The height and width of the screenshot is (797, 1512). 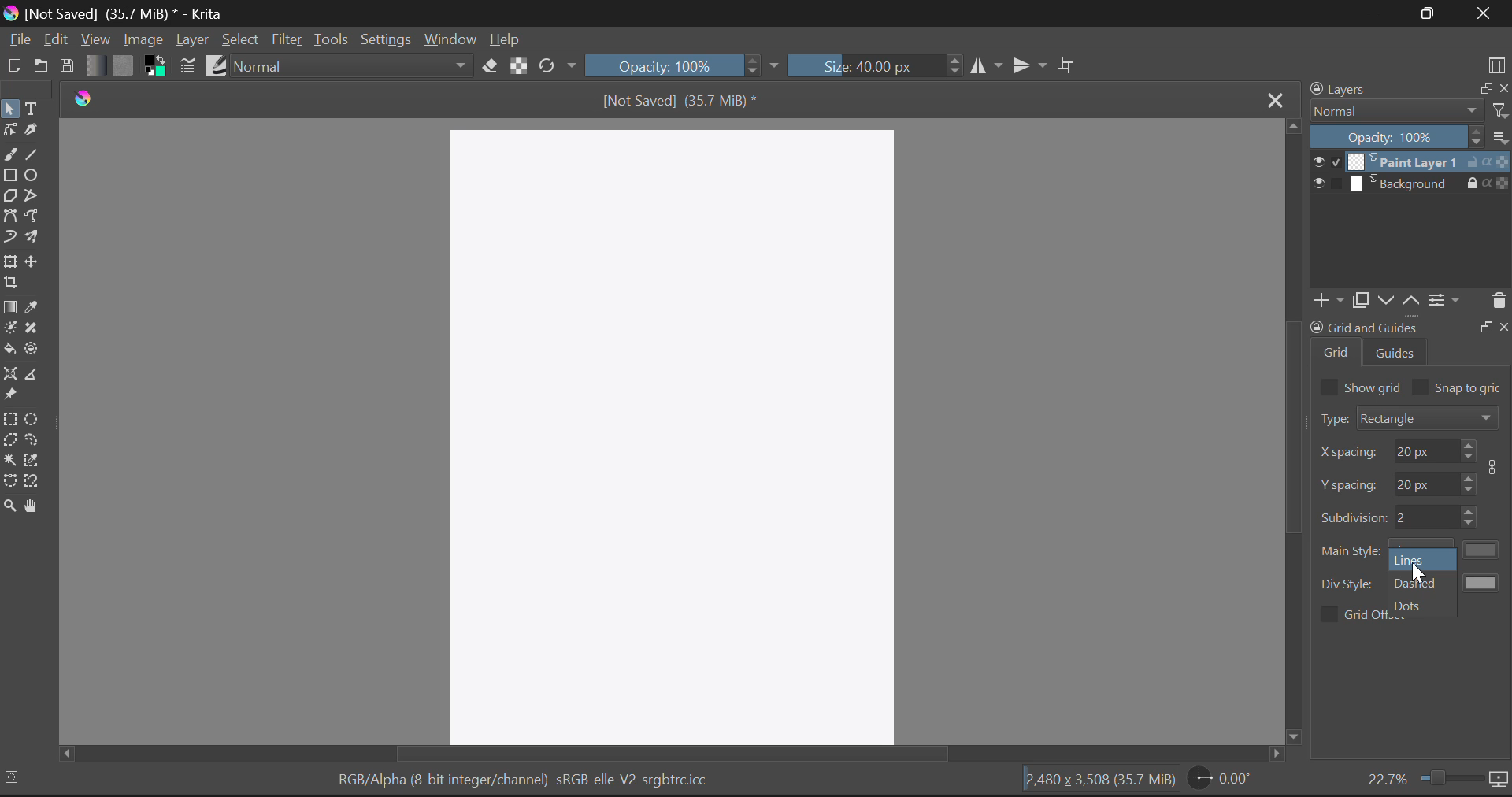 I want to click on Window, so click(x=449, y=40).